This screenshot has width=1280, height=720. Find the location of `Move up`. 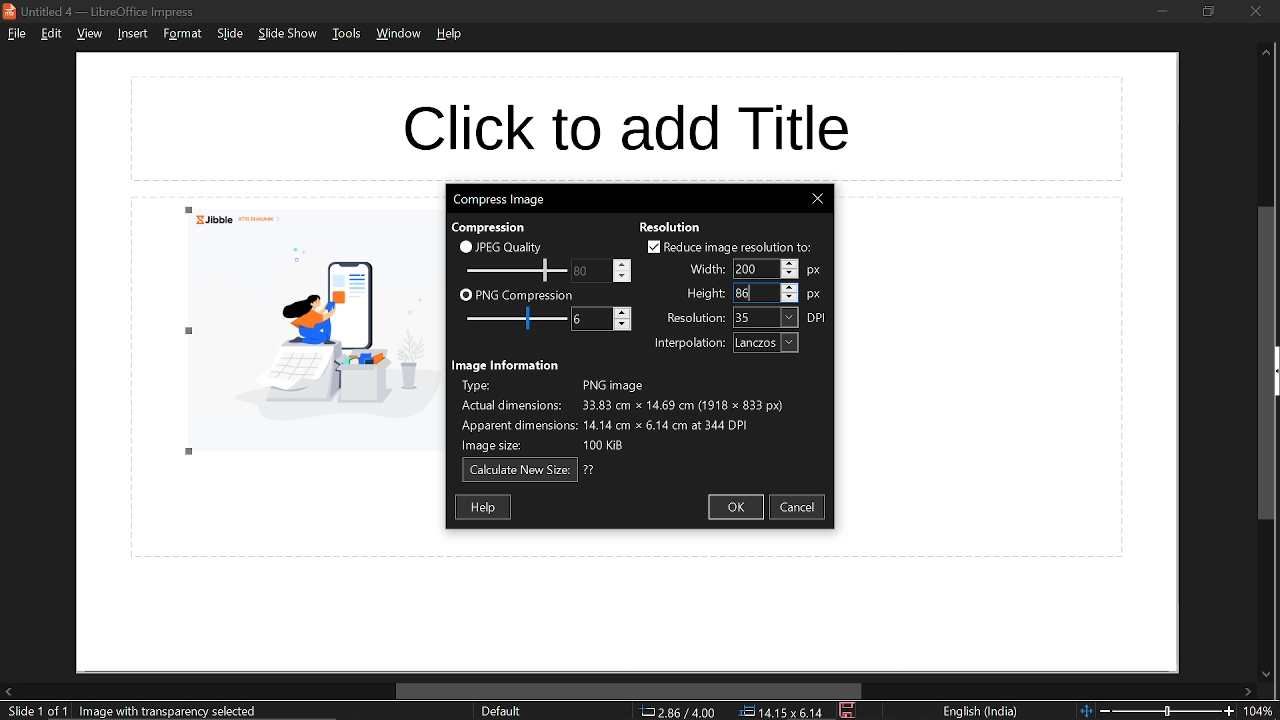

Move up is located at coordinates (1266, 53).